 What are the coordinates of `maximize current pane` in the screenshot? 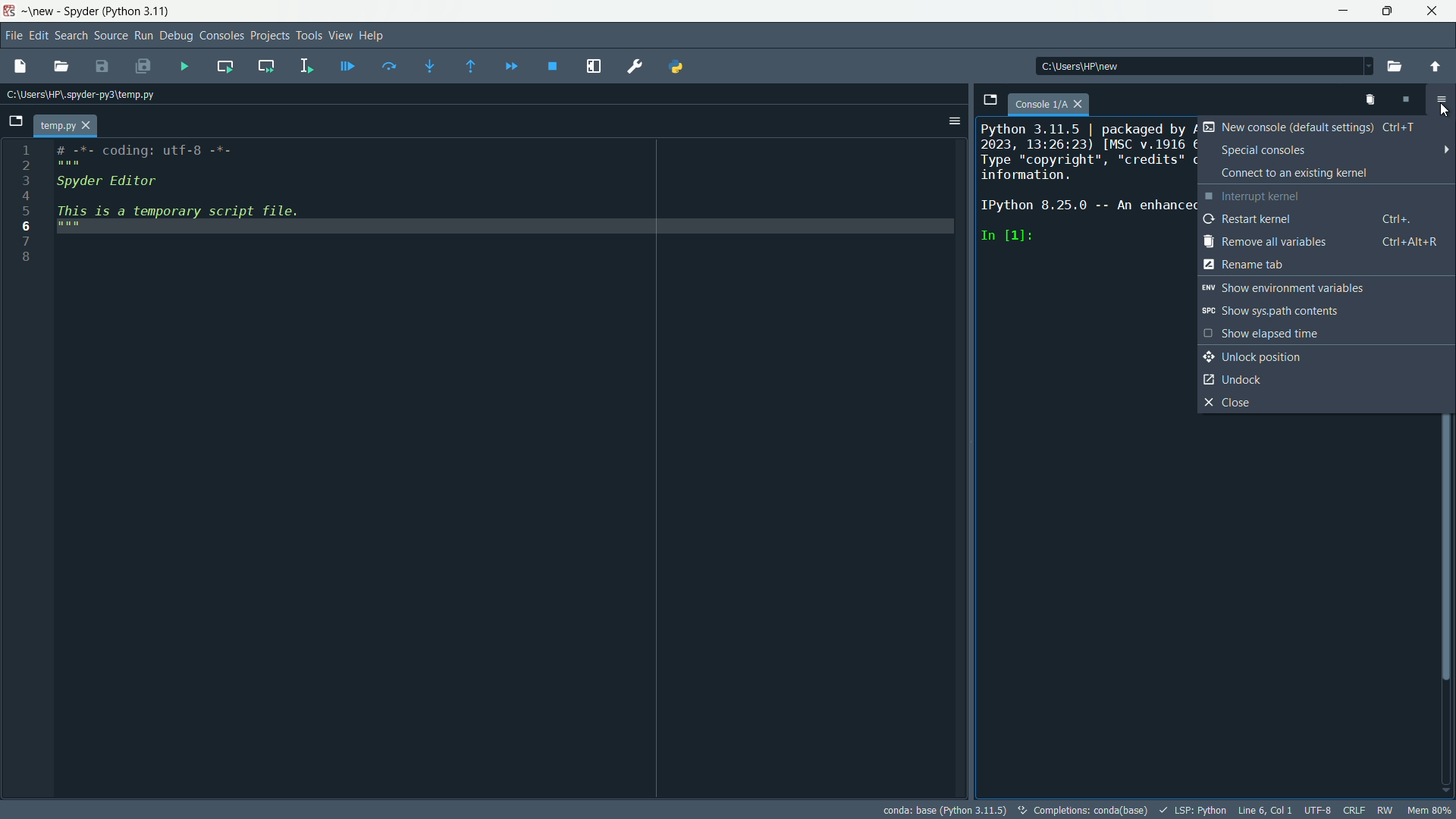 It's located at (593, 65).